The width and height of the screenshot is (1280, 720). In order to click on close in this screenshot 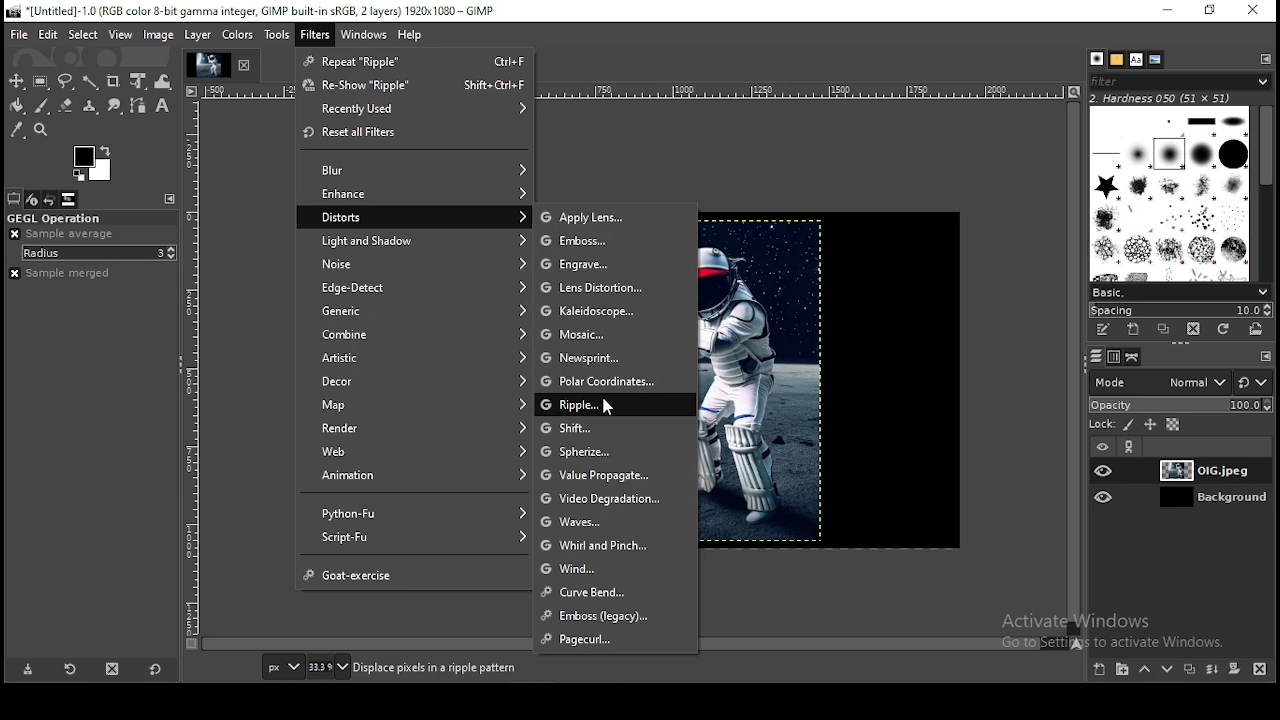, I will do `click(249, 63)`.